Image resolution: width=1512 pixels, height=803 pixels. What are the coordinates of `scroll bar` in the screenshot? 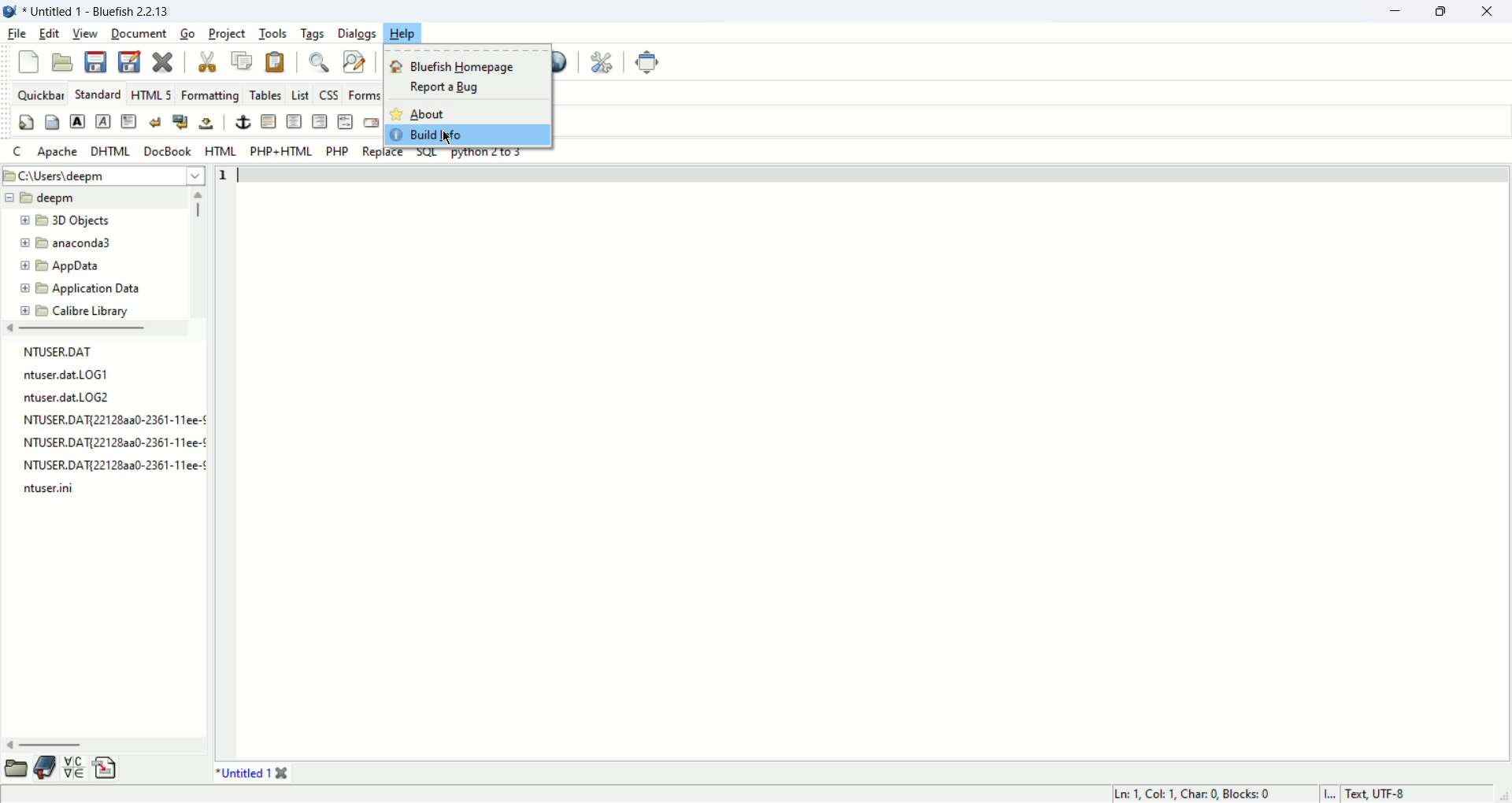 It's located at (94, 329).